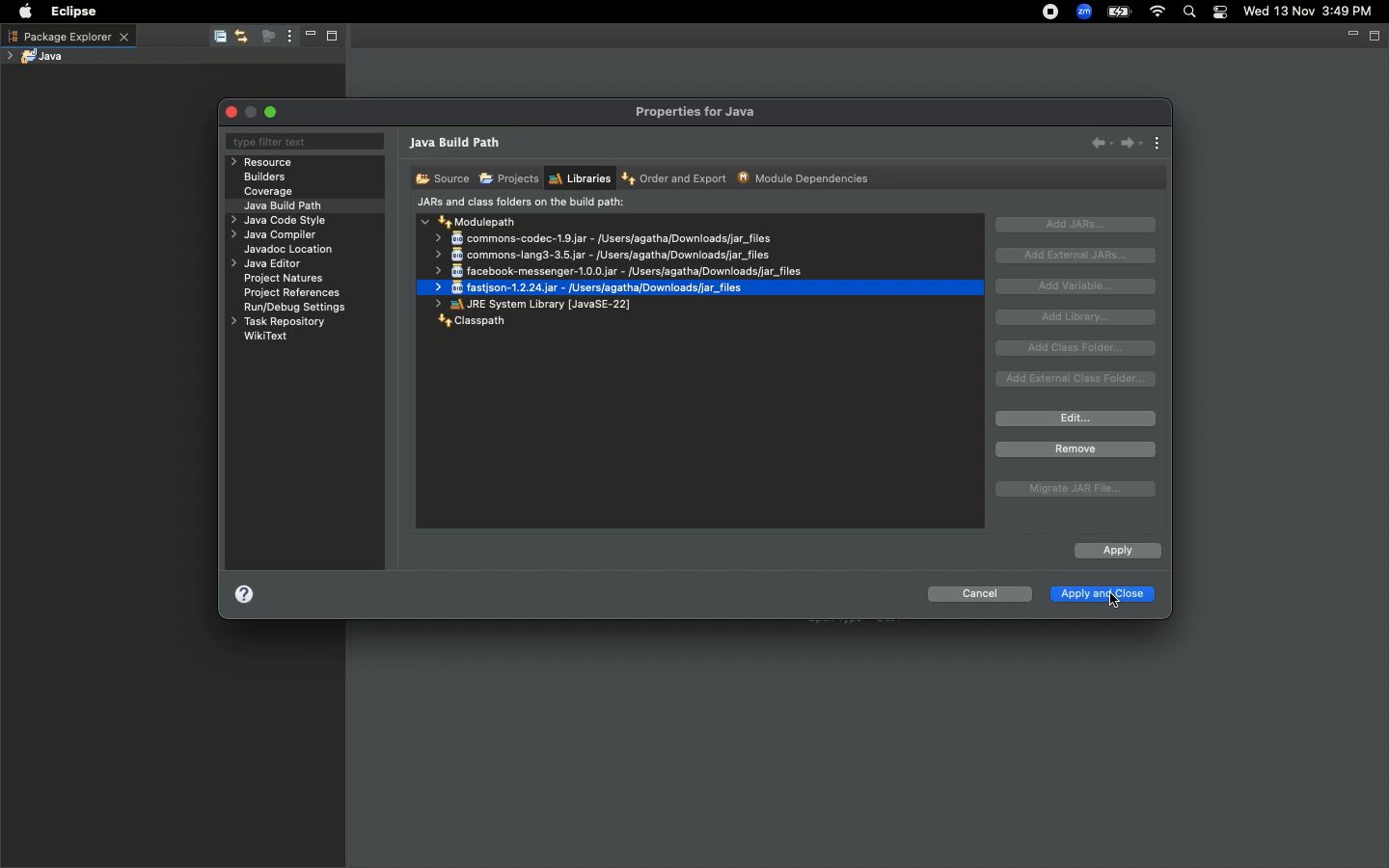 Image resolution: width=1389 pixels, height=868 pixels. I want to click on Package explorer, so click(68, 36).